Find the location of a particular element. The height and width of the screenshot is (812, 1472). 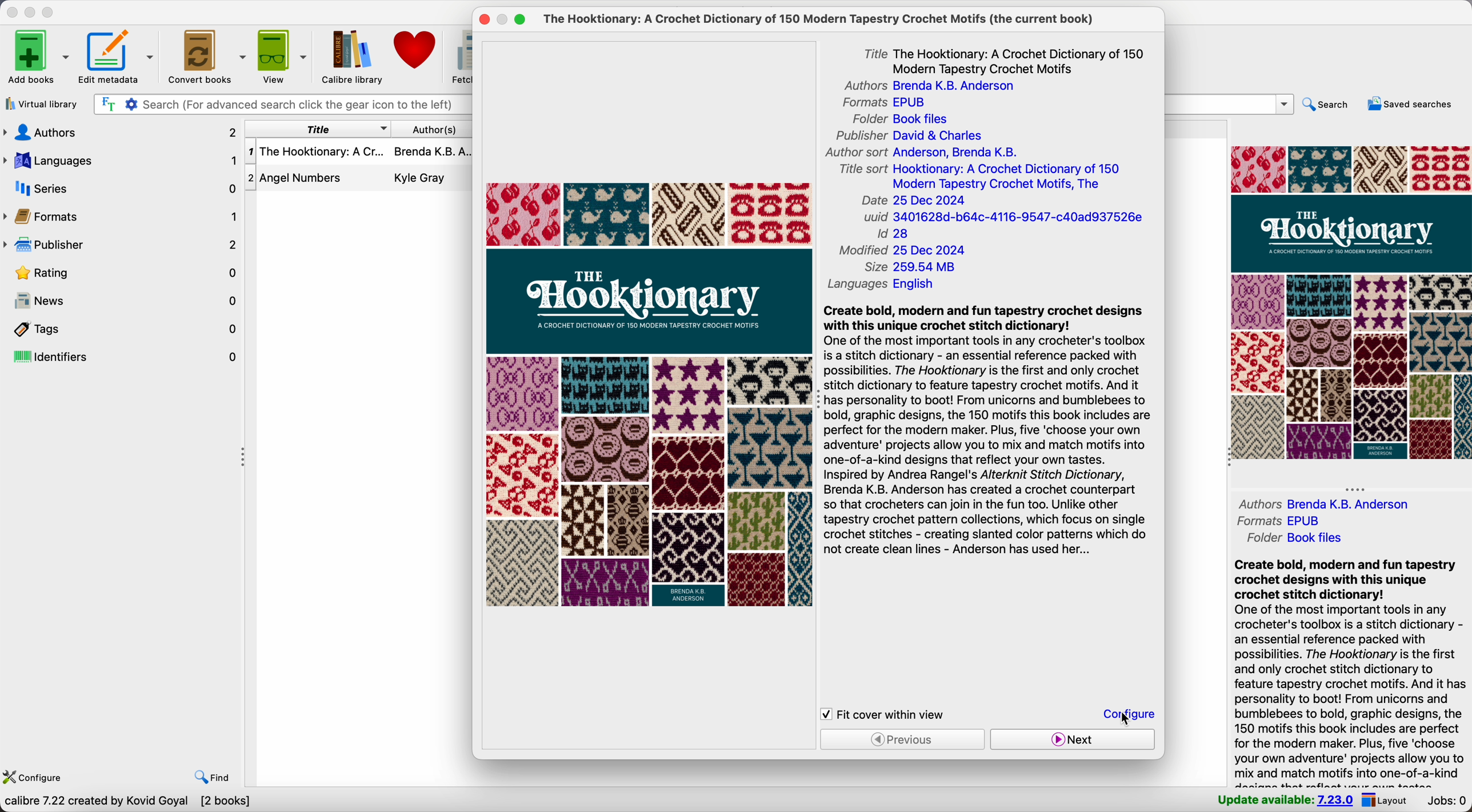

tags is located at coordinates (122, 329).